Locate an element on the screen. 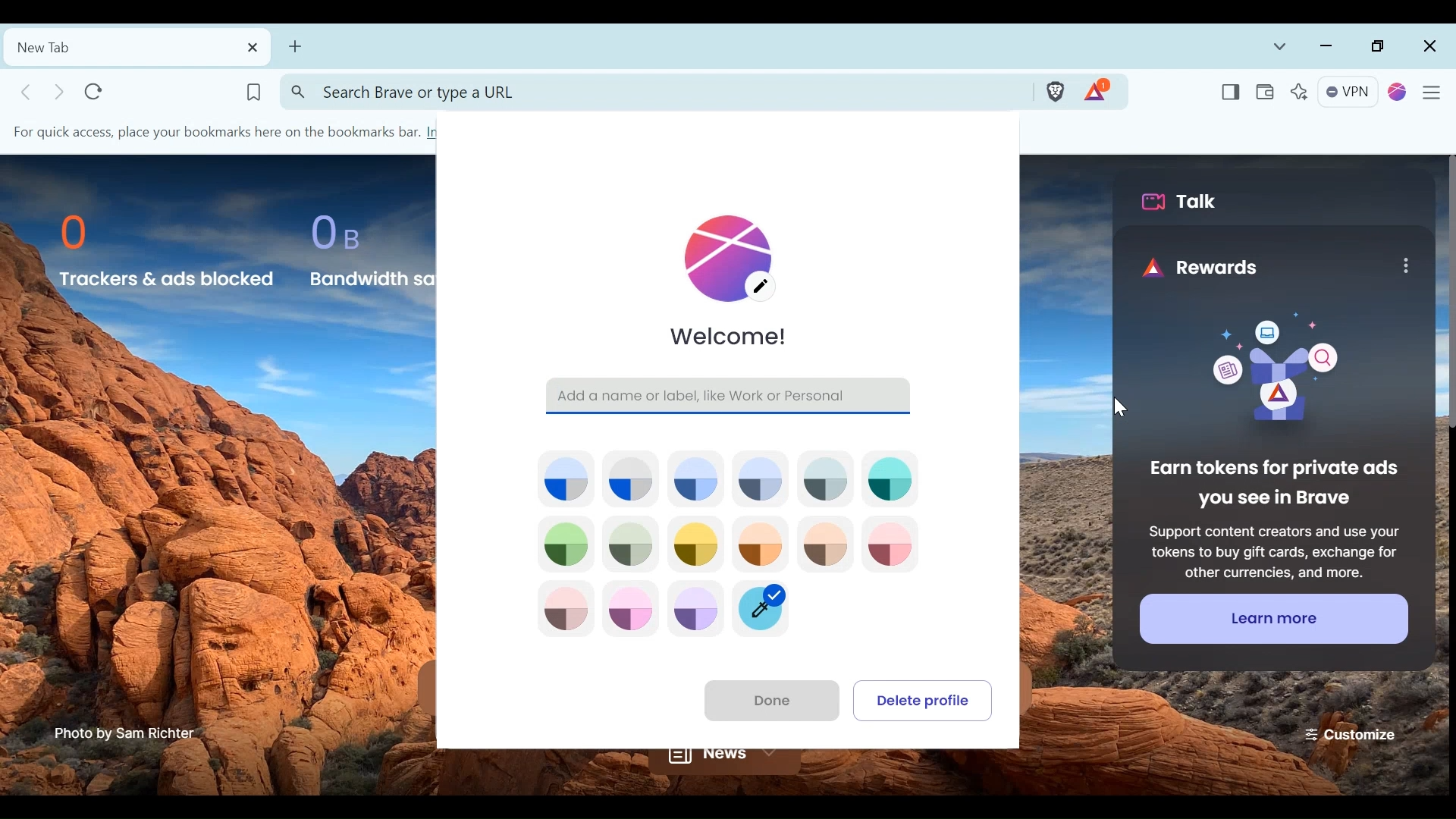  0 B Bandwidth Saved is located at coordinates (366, 248).